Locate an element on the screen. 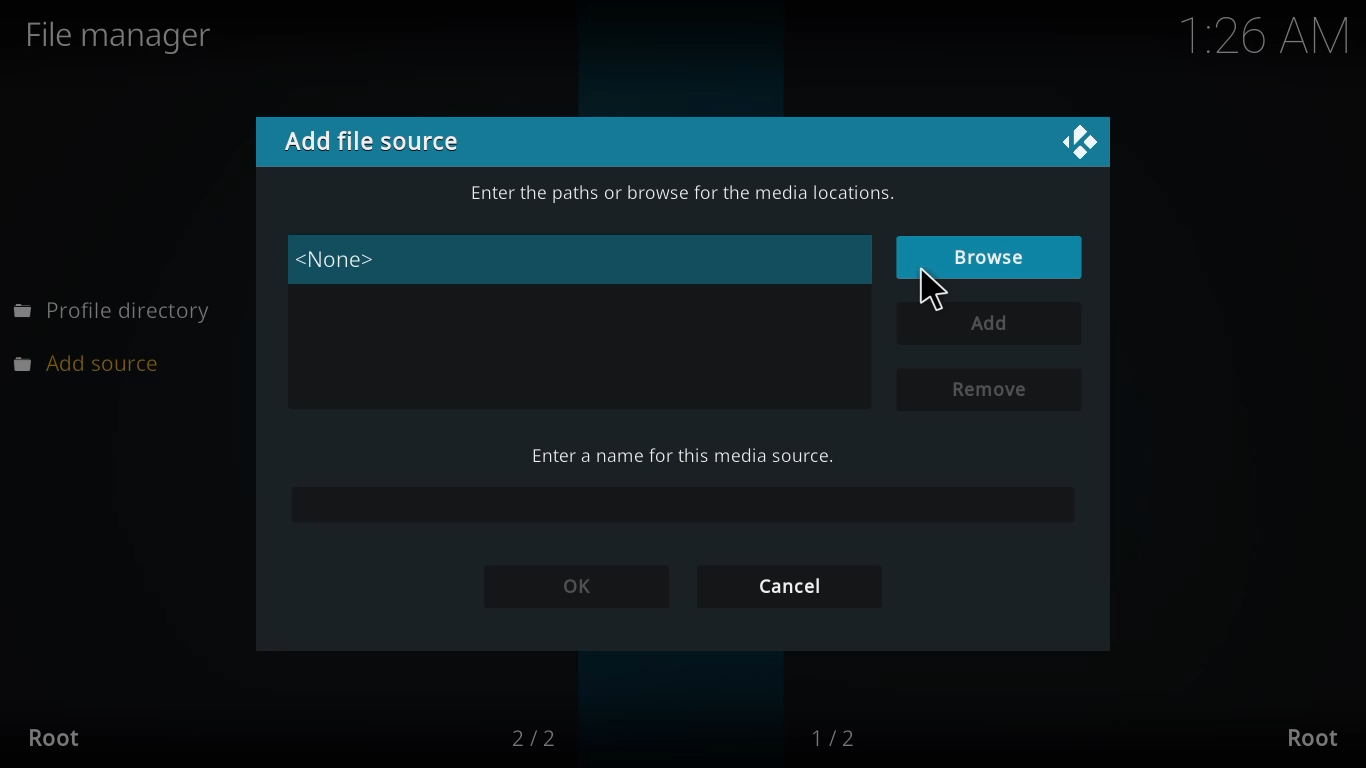 Image resolution: width=1366 pixels, height=768 pixels. add source is located at coordinates (97, 362).